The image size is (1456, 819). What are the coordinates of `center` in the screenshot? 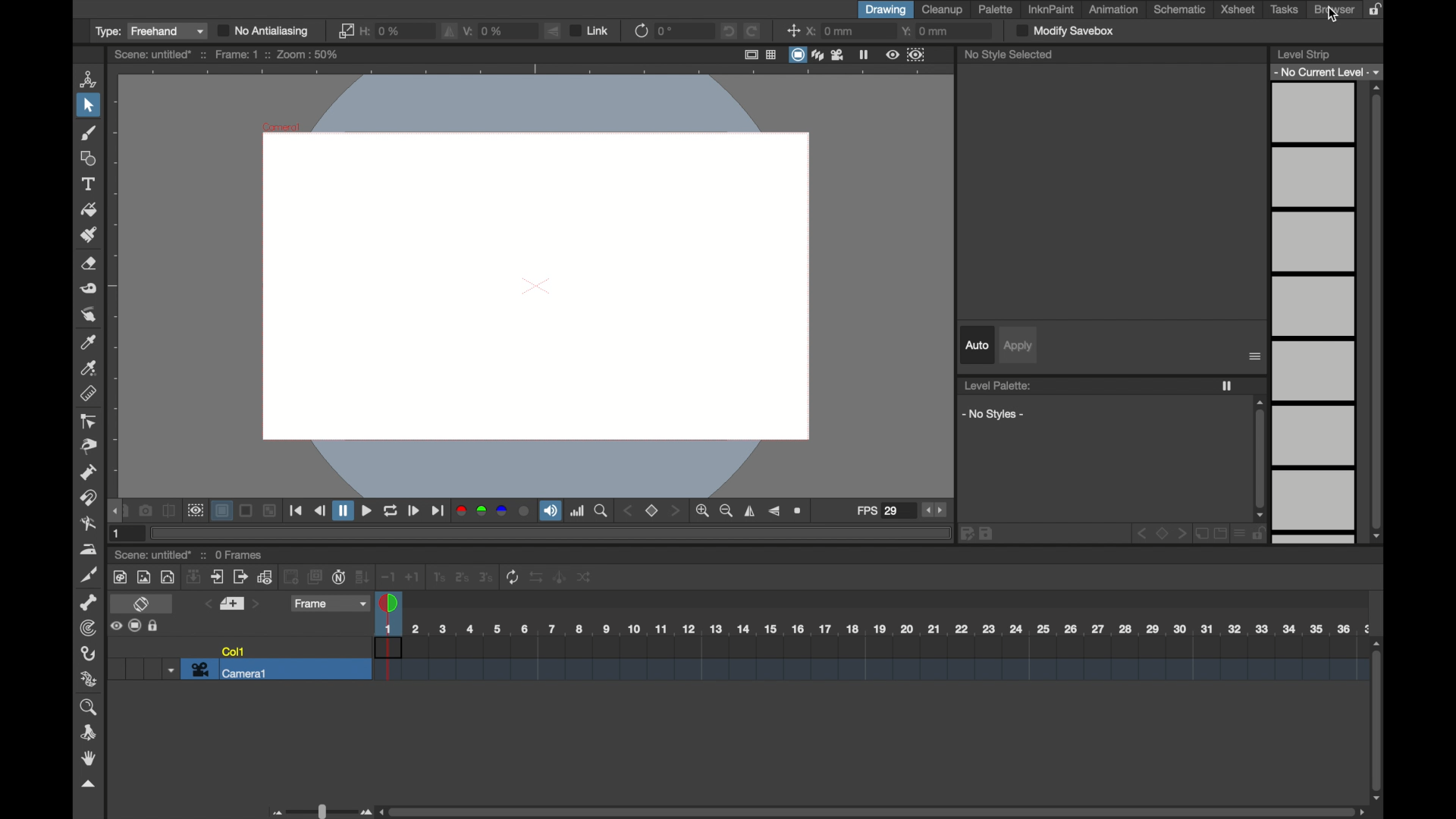 It's located at (793, 30).